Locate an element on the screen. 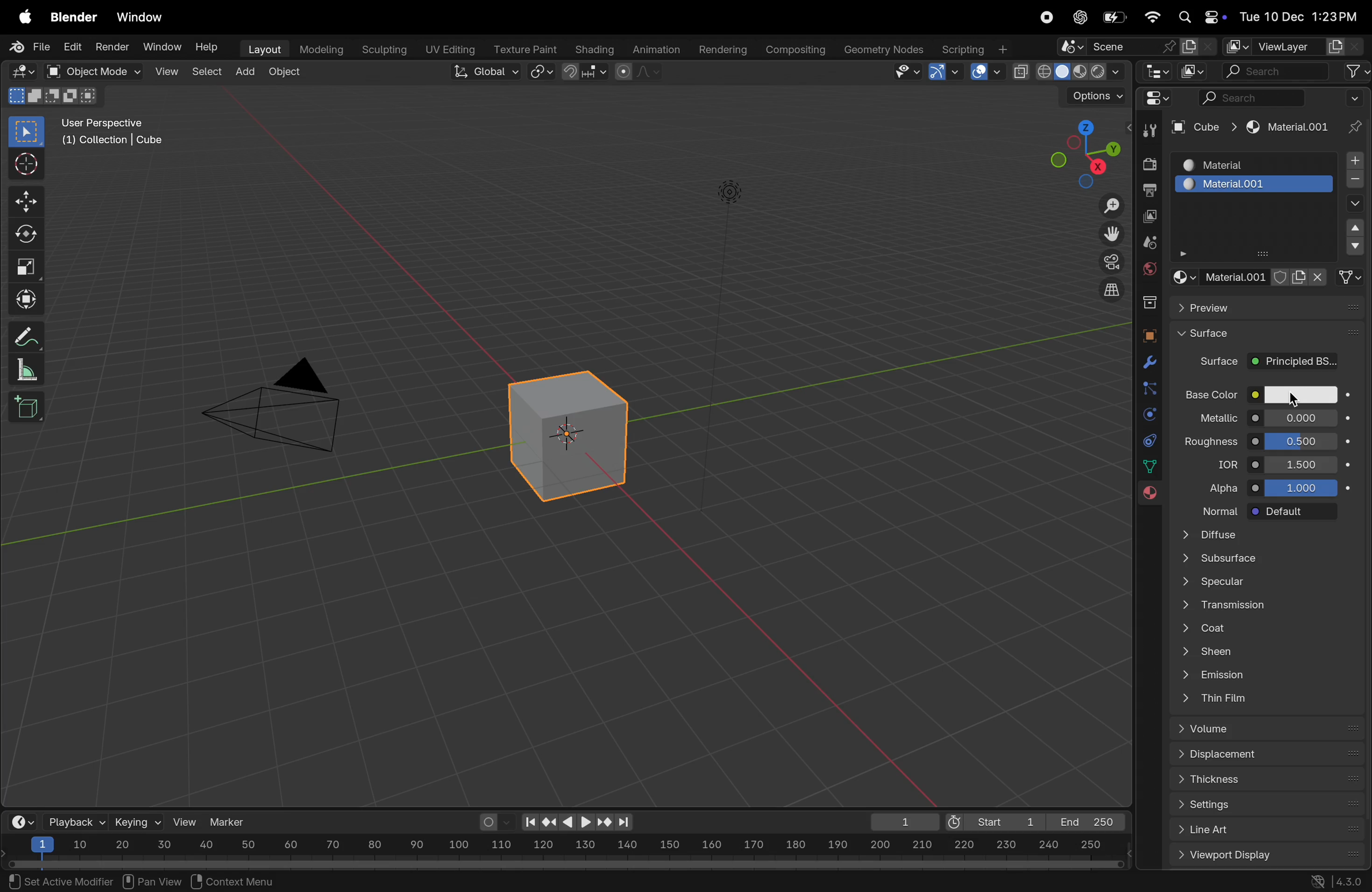  camera view  is located at coordinates (281, 402).